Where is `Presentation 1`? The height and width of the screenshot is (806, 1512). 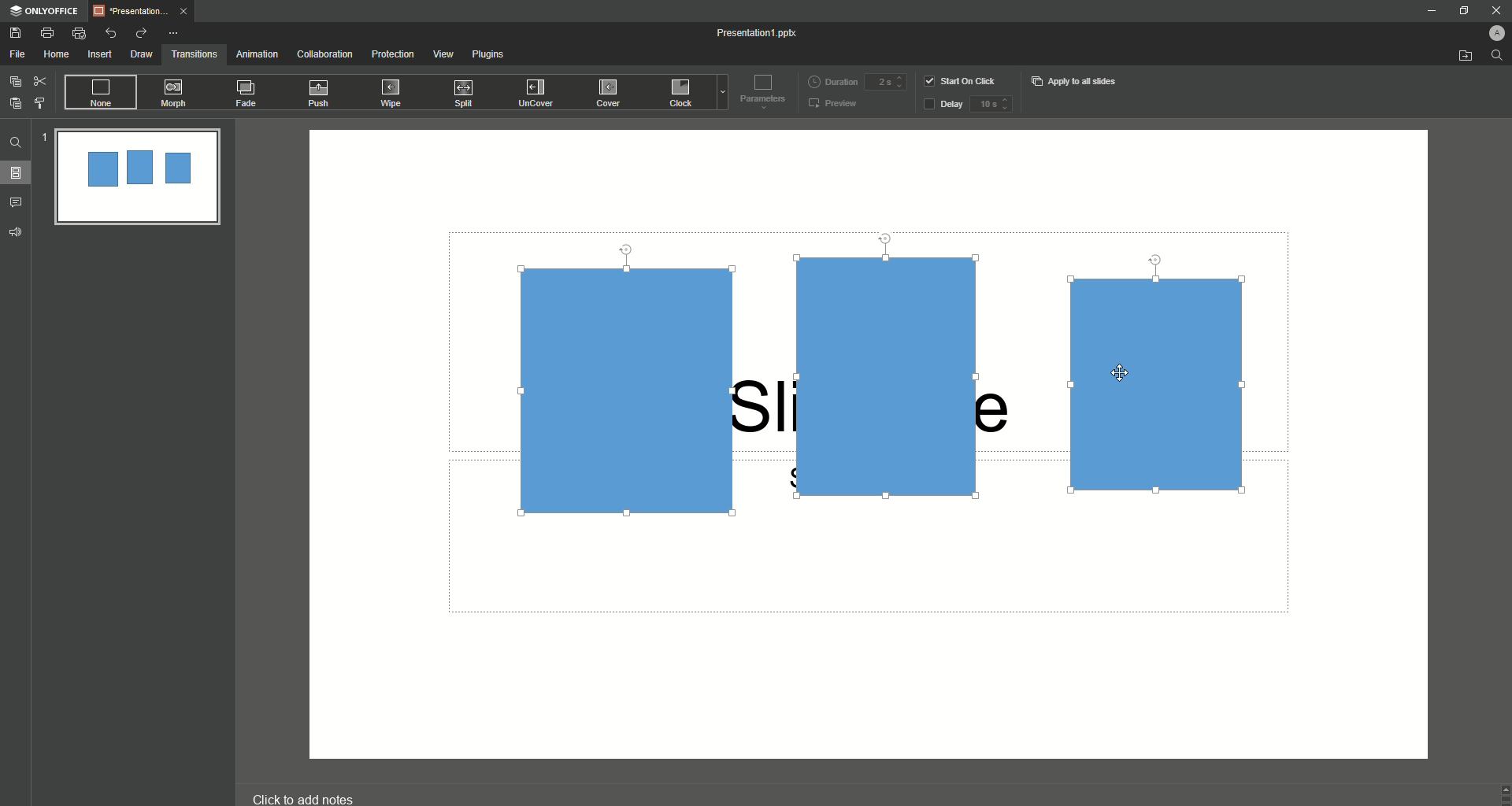
Presentation 1 is located at coordinates (759, 33).